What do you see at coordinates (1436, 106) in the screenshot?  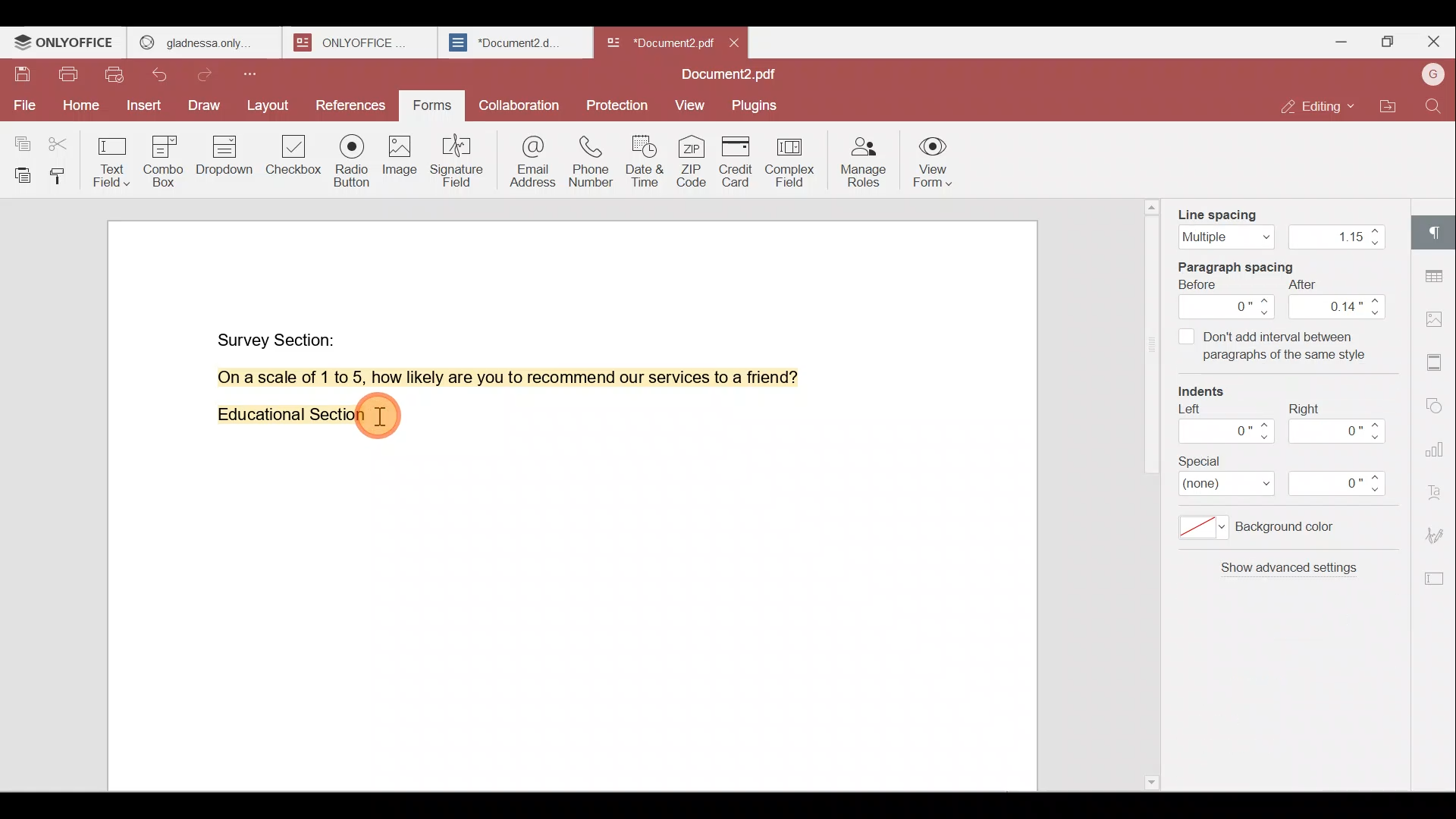 I see `Find` at bounding box center [1436, 106].